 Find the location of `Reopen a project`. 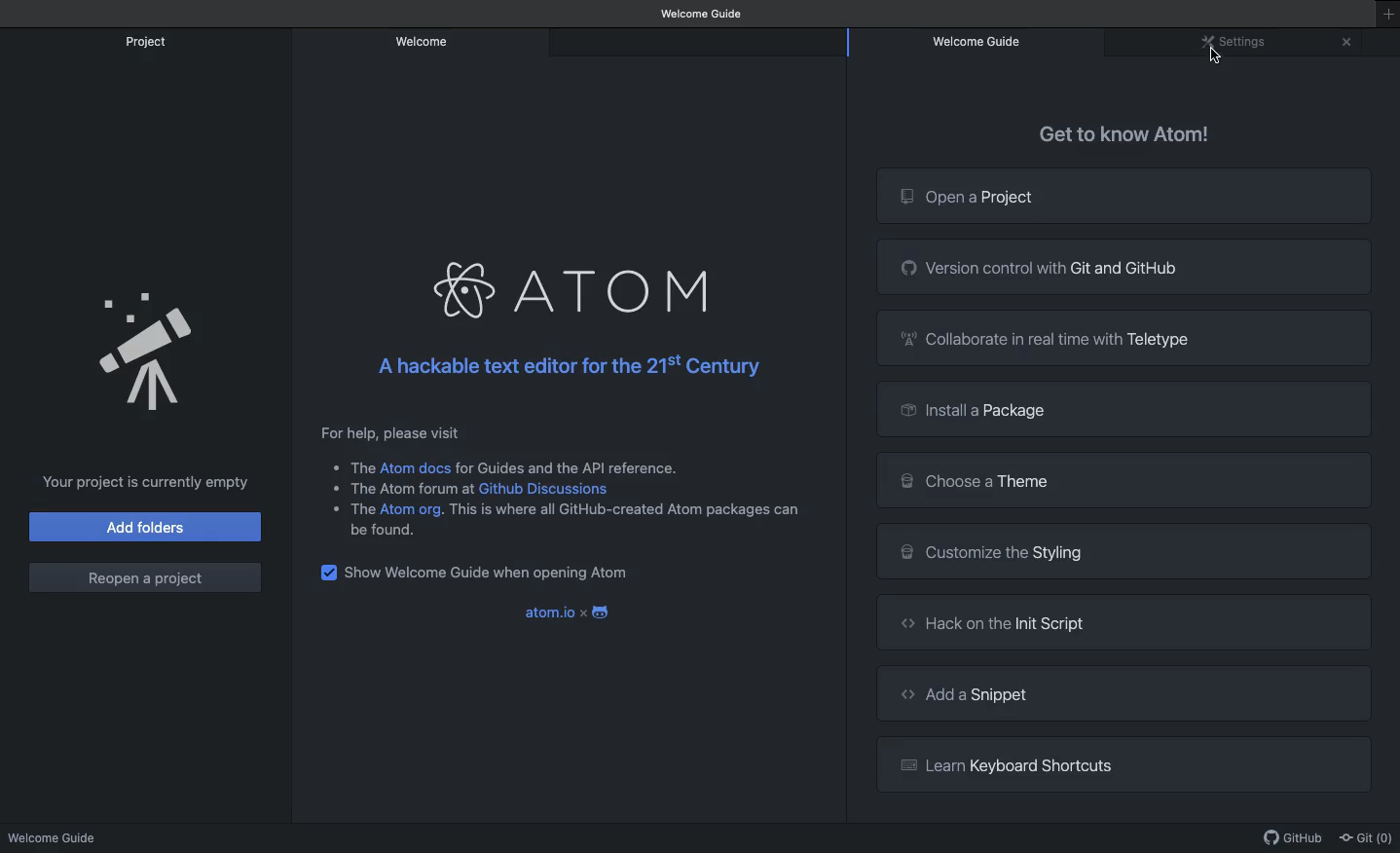

Reopen a project is located at coordinates (147, 575).